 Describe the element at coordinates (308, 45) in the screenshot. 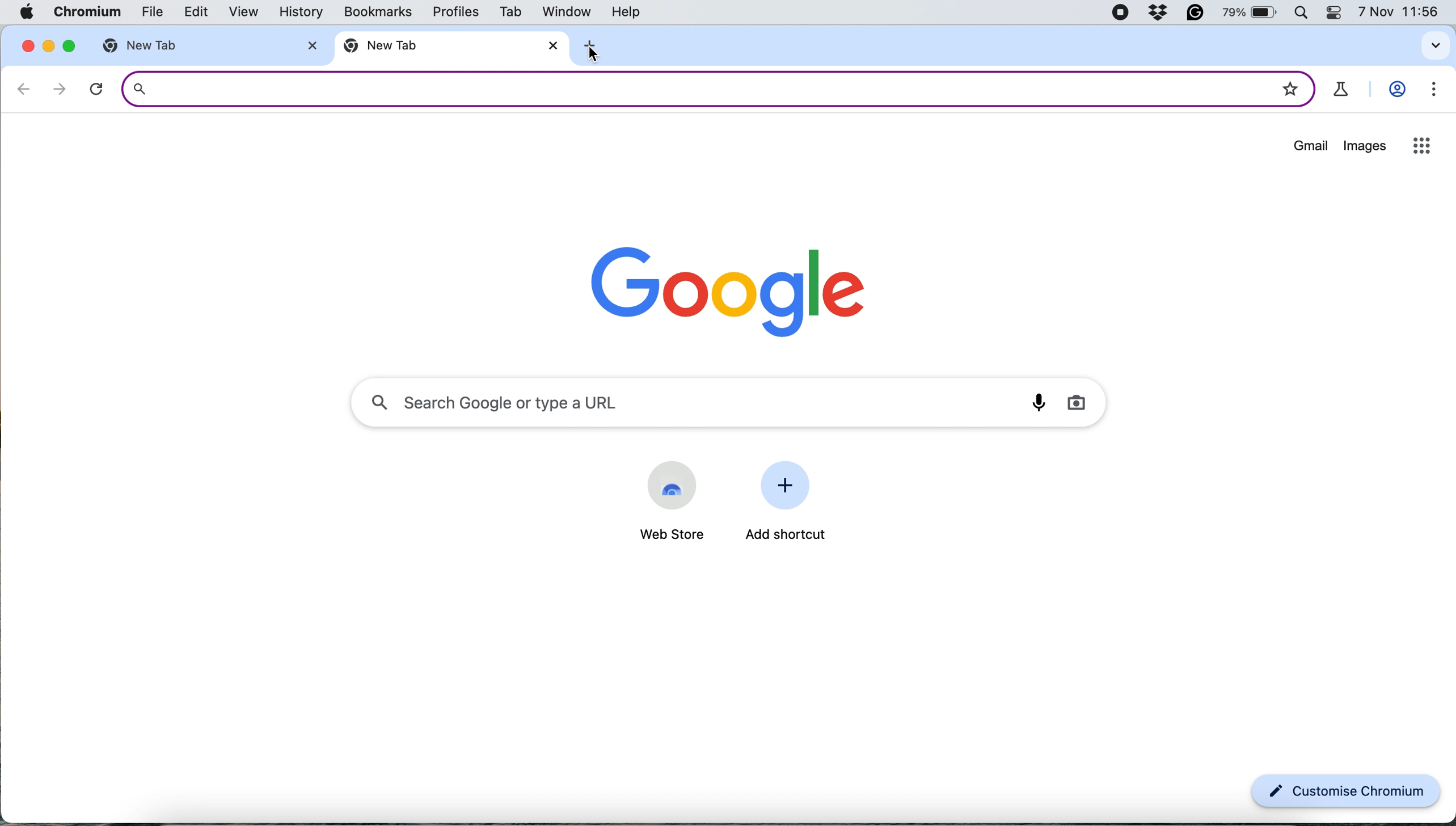

I see `close` at that location.